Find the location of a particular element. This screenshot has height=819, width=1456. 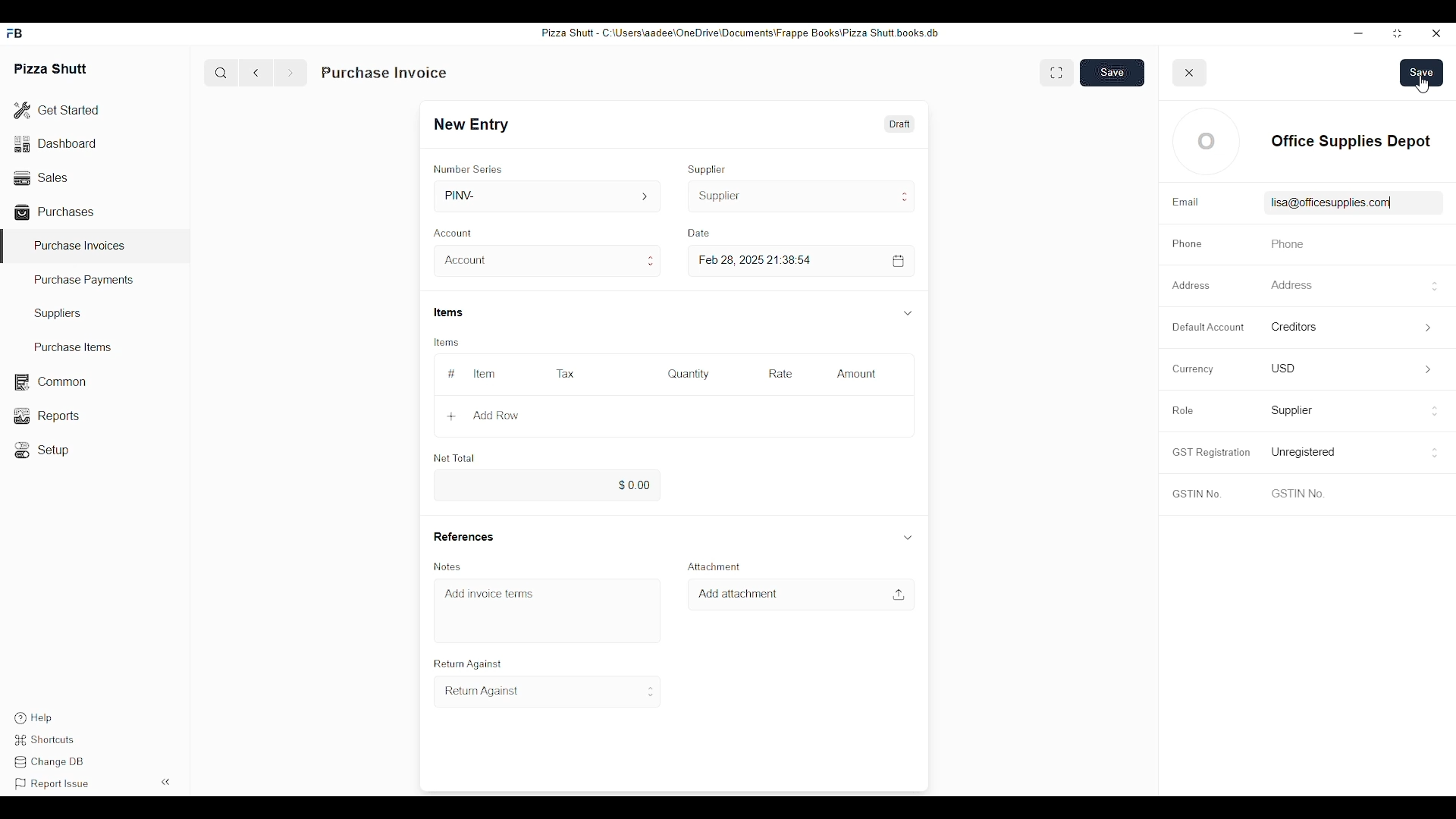

Default Account is located at coordinates (1310, 326).